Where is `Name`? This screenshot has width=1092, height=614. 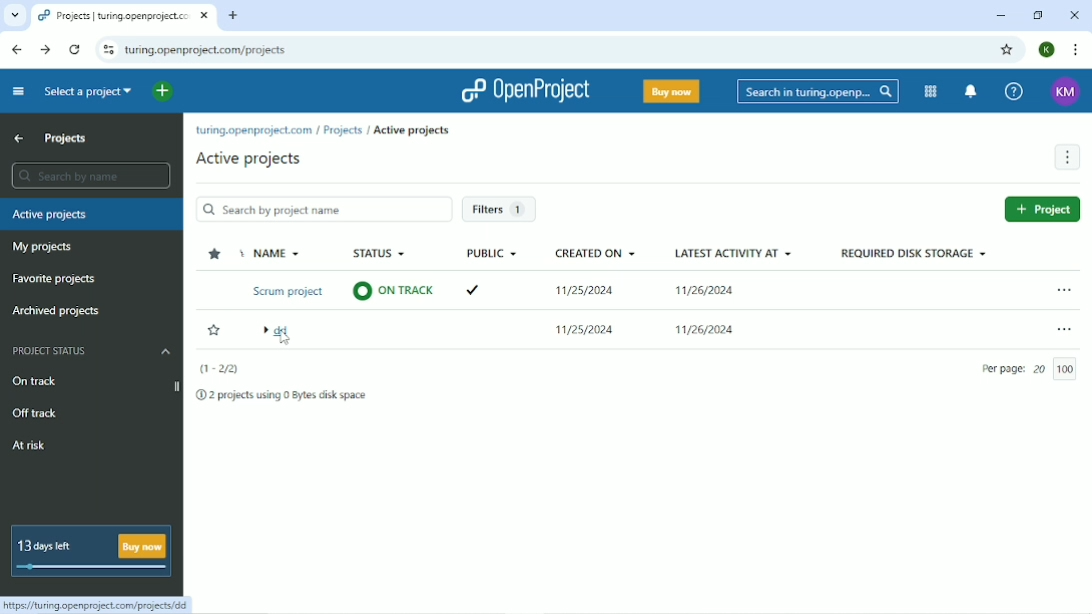
Name is located at coordinates (276, 252).